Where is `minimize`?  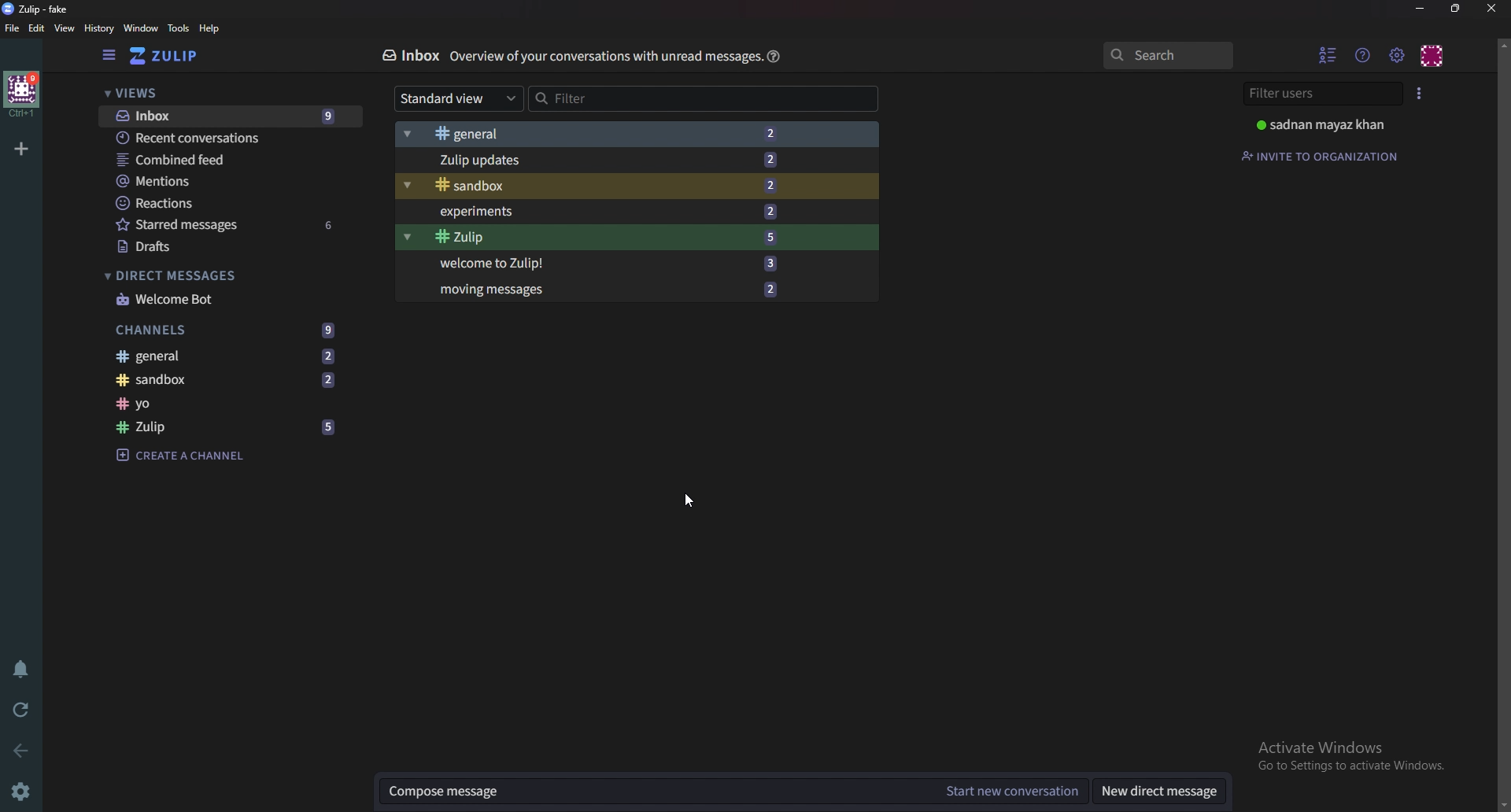 minimize is located at coordinates (1419, 9).